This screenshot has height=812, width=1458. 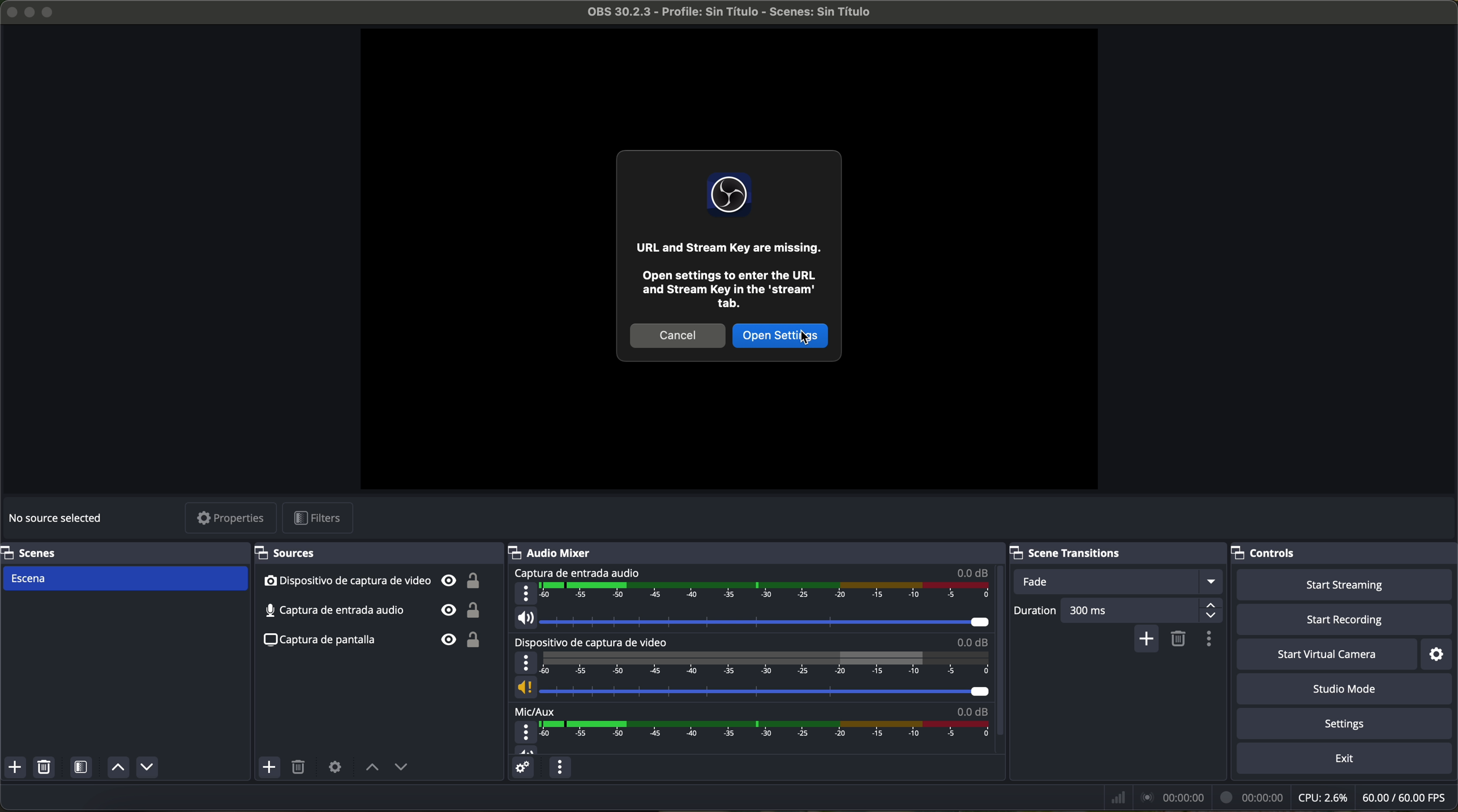 I want to click on OBS Studio icon, so click(x=730, y=194).